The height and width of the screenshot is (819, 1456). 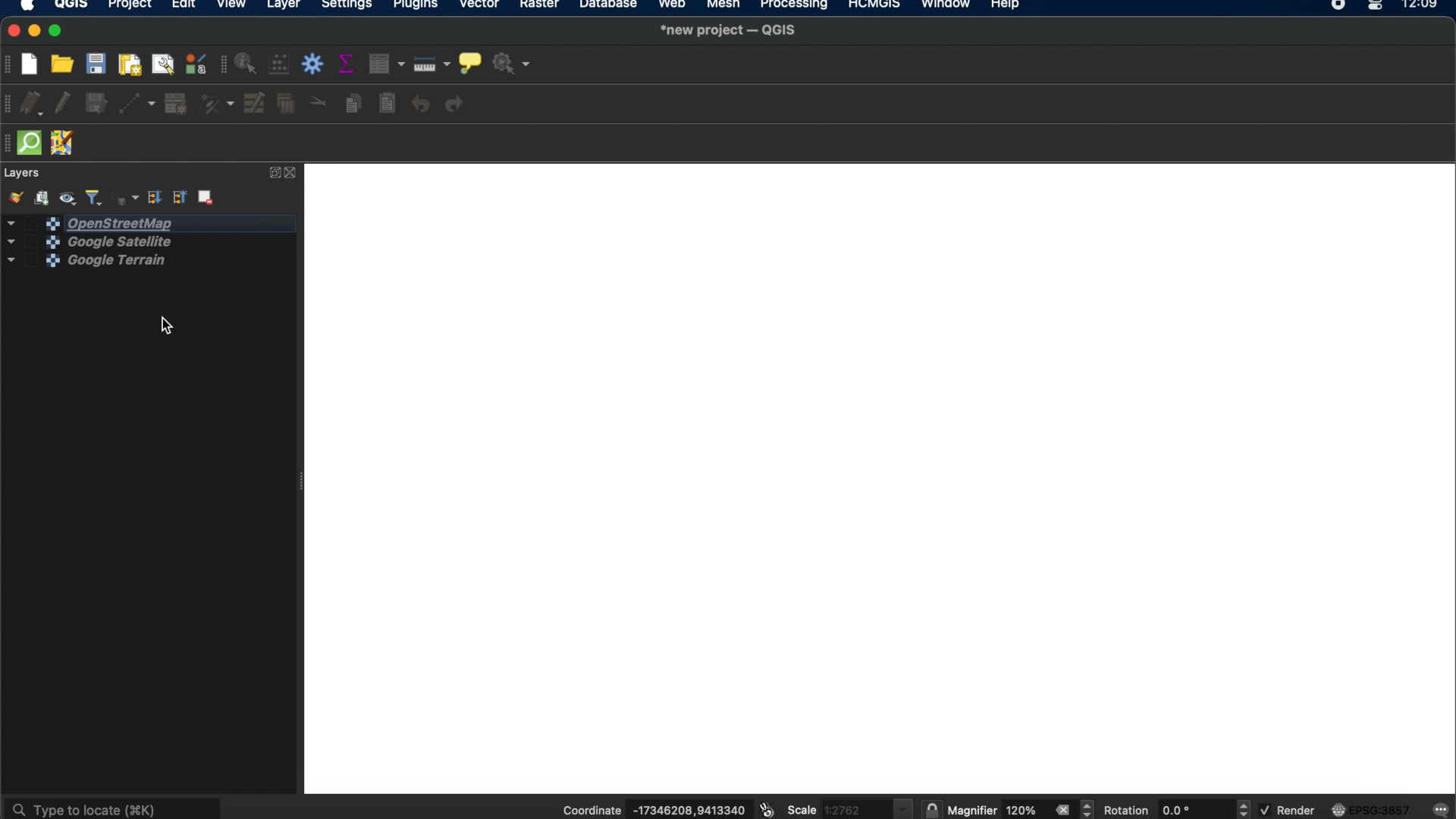 What do you see at coordinates (115, 806) in the screenshot?
I see `type to locate` at bounding box center [115, 806].